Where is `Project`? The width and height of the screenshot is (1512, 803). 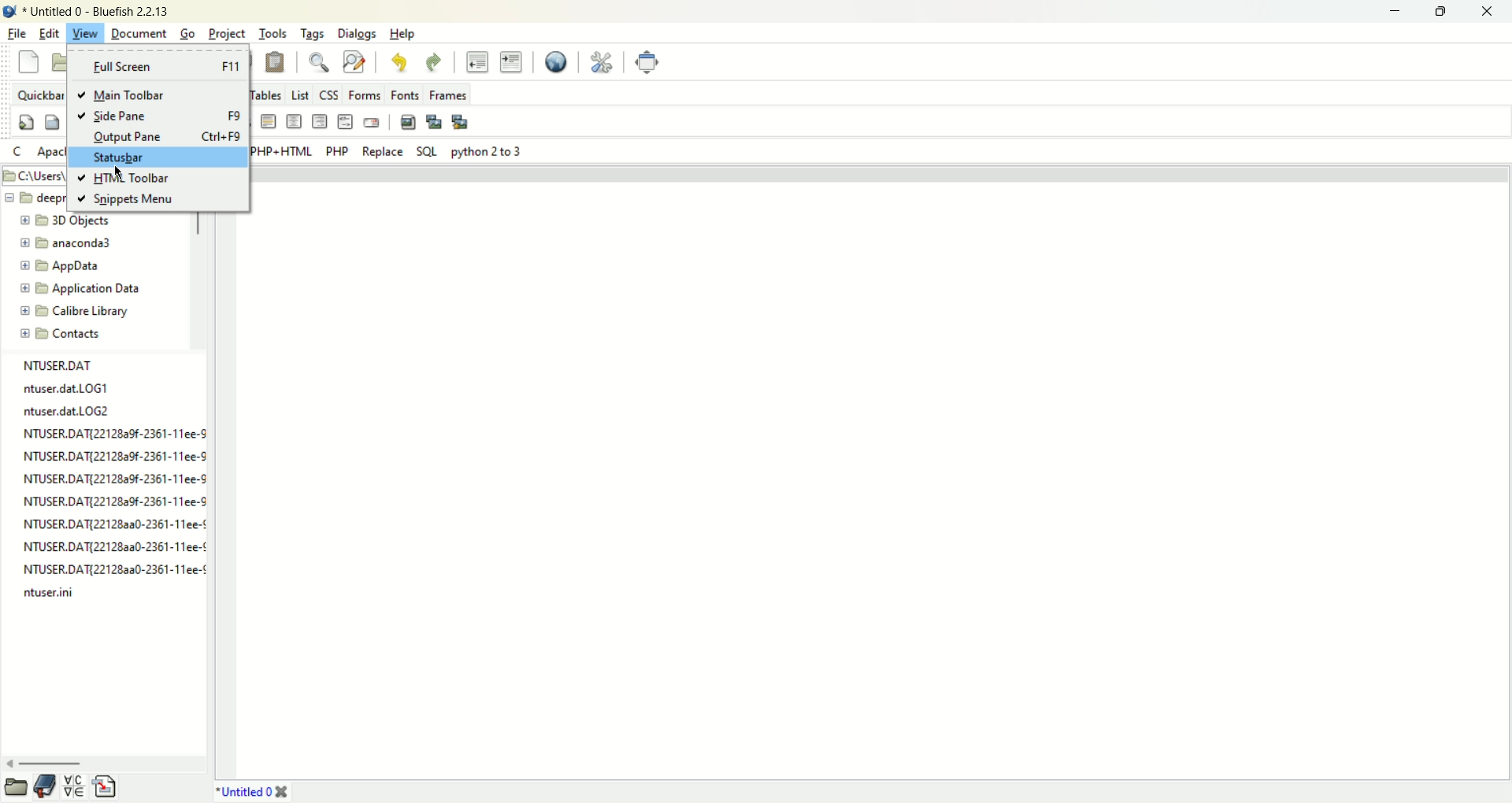 Project is located at coordinates (228, 35).